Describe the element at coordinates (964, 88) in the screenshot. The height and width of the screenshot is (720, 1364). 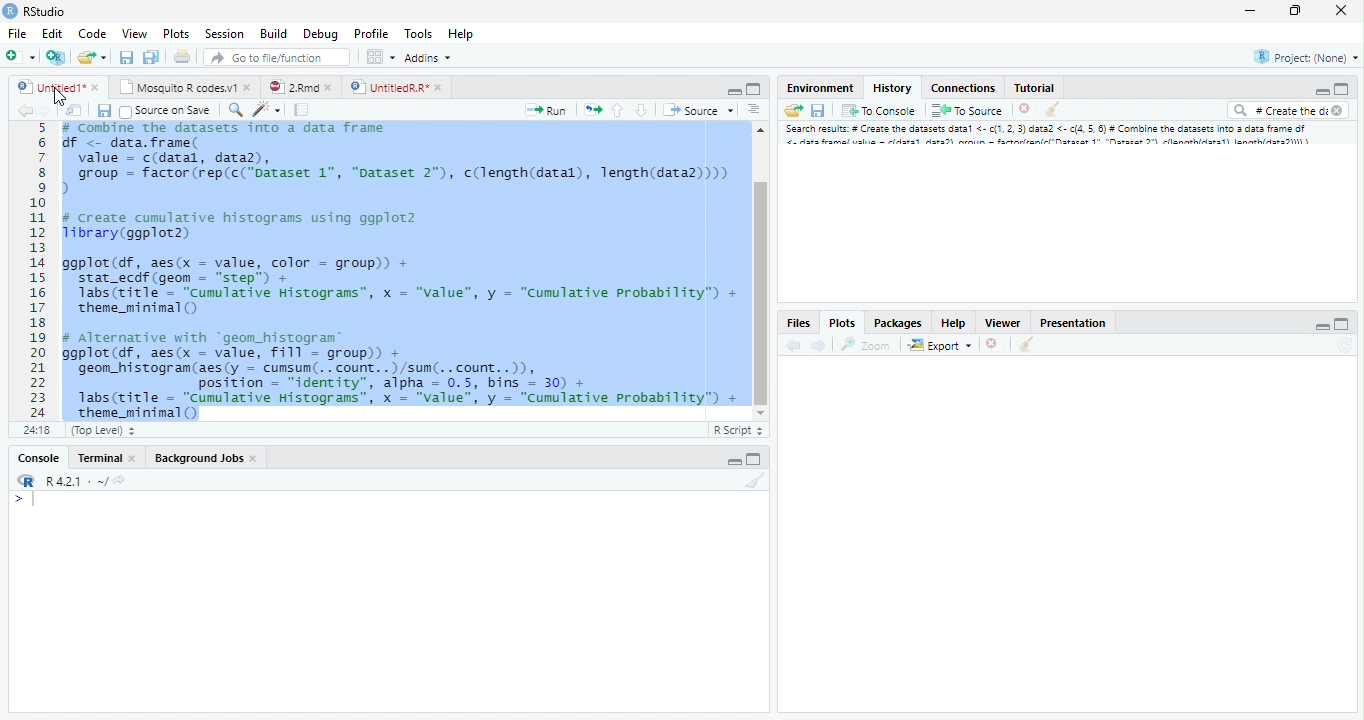
I see `Connections` at that location.